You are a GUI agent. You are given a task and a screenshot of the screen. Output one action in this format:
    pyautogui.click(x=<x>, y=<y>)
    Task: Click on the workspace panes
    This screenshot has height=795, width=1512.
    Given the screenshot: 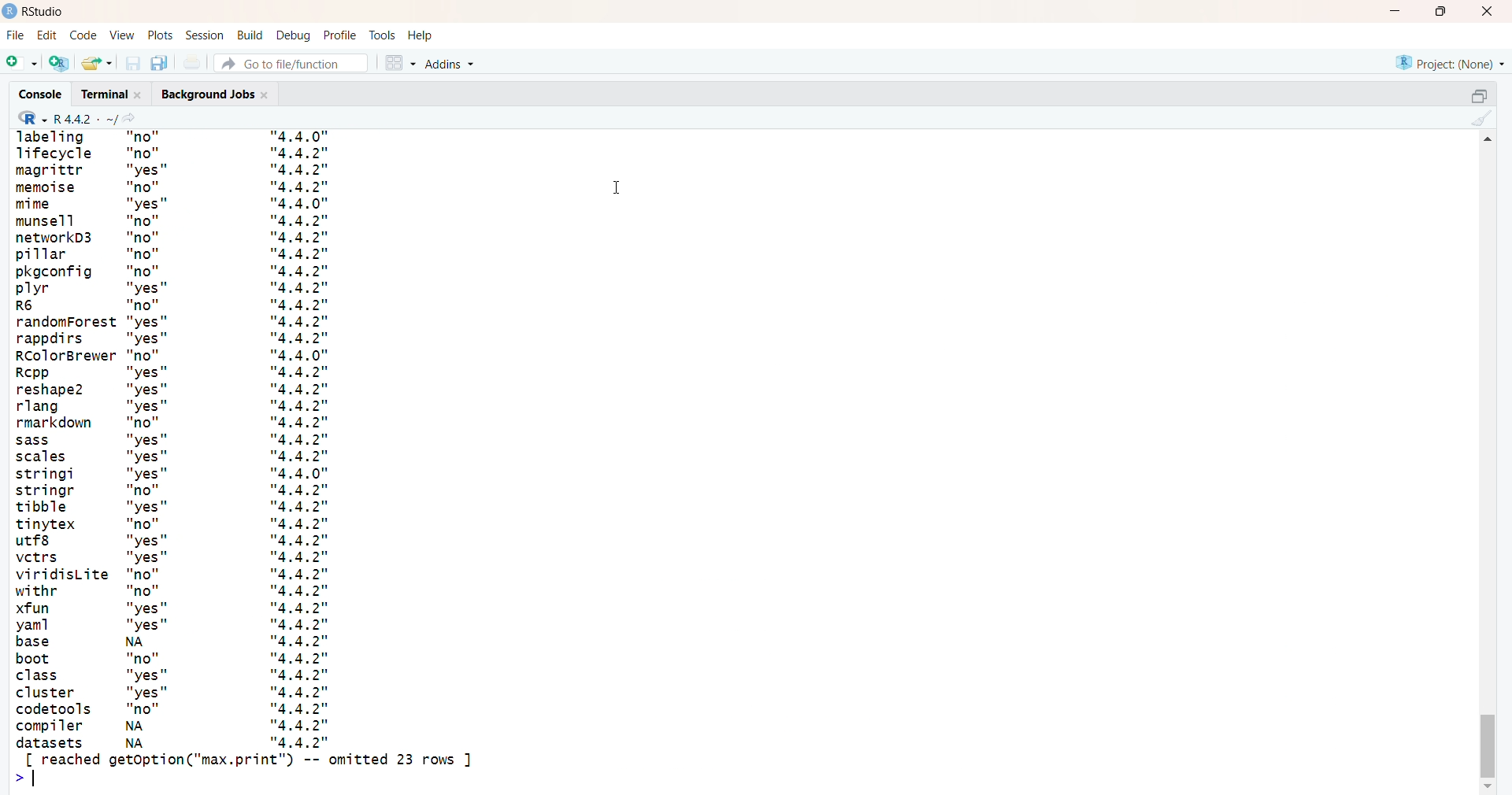 What is the action you would take?
    pyautogui.click(x=399, y=65)
    